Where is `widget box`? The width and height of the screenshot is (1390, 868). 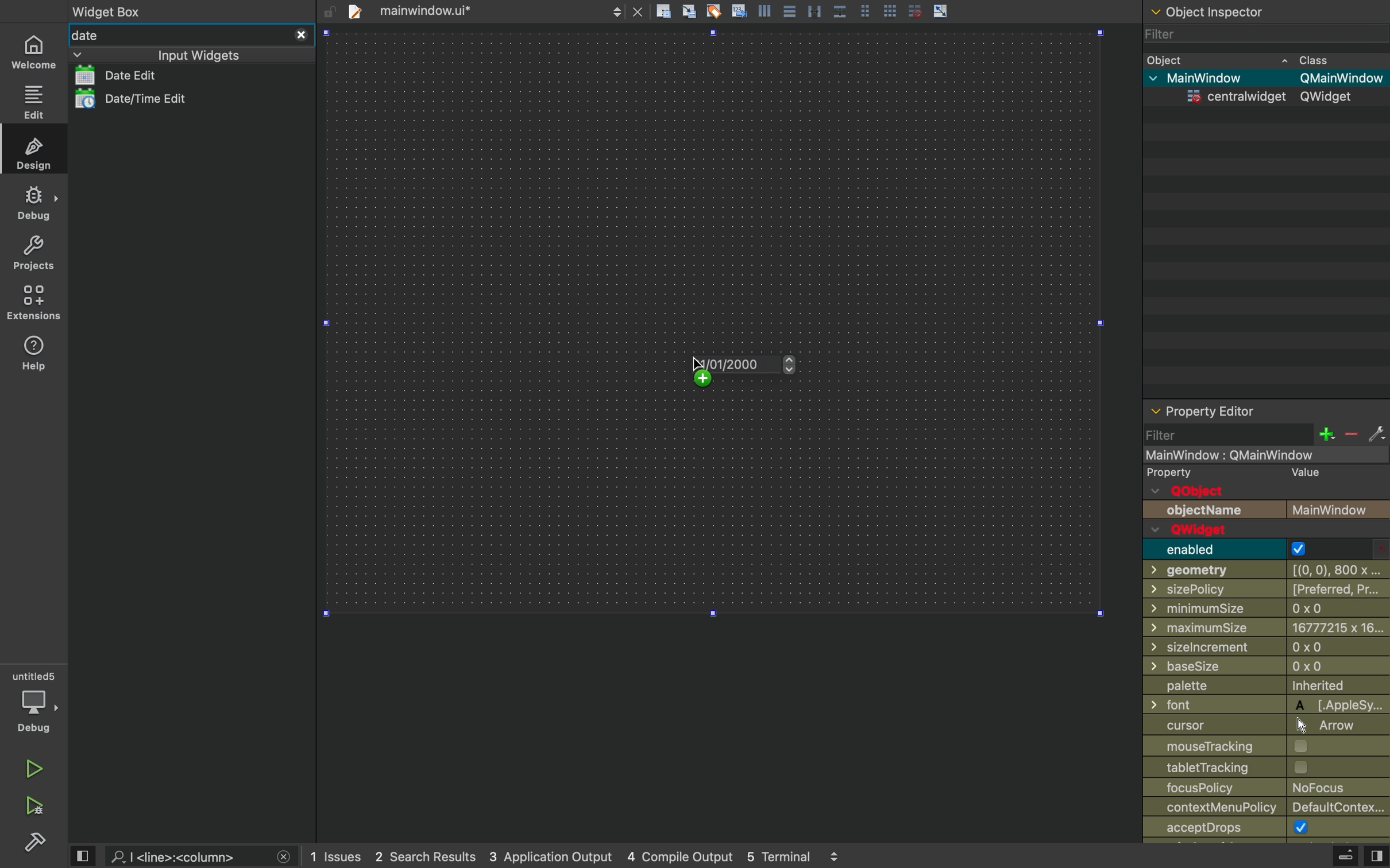
widget box is located at coordinates (111, 10).